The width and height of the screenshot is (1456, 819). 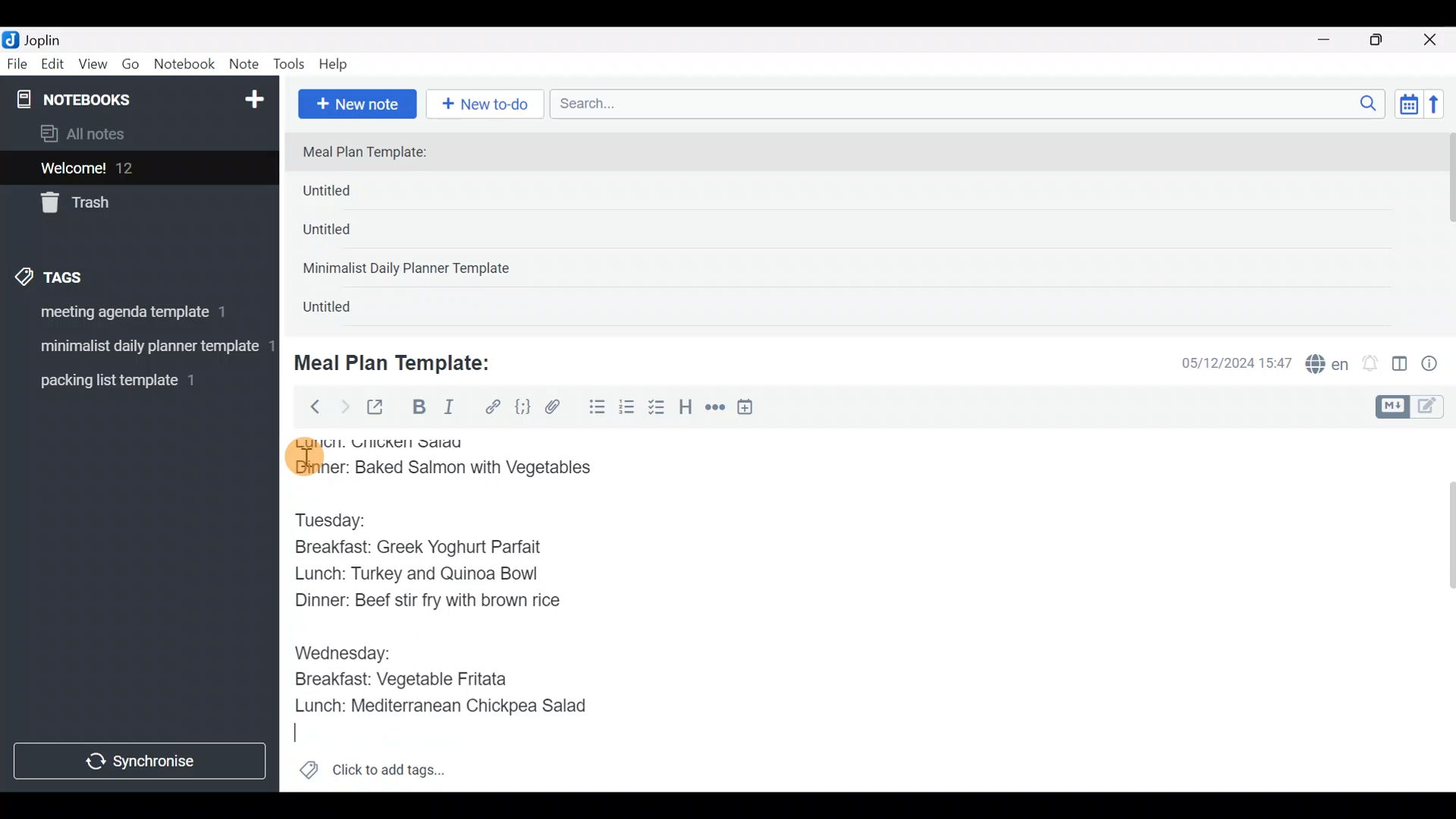 I want to click on Help, so click(x=339, y=61).